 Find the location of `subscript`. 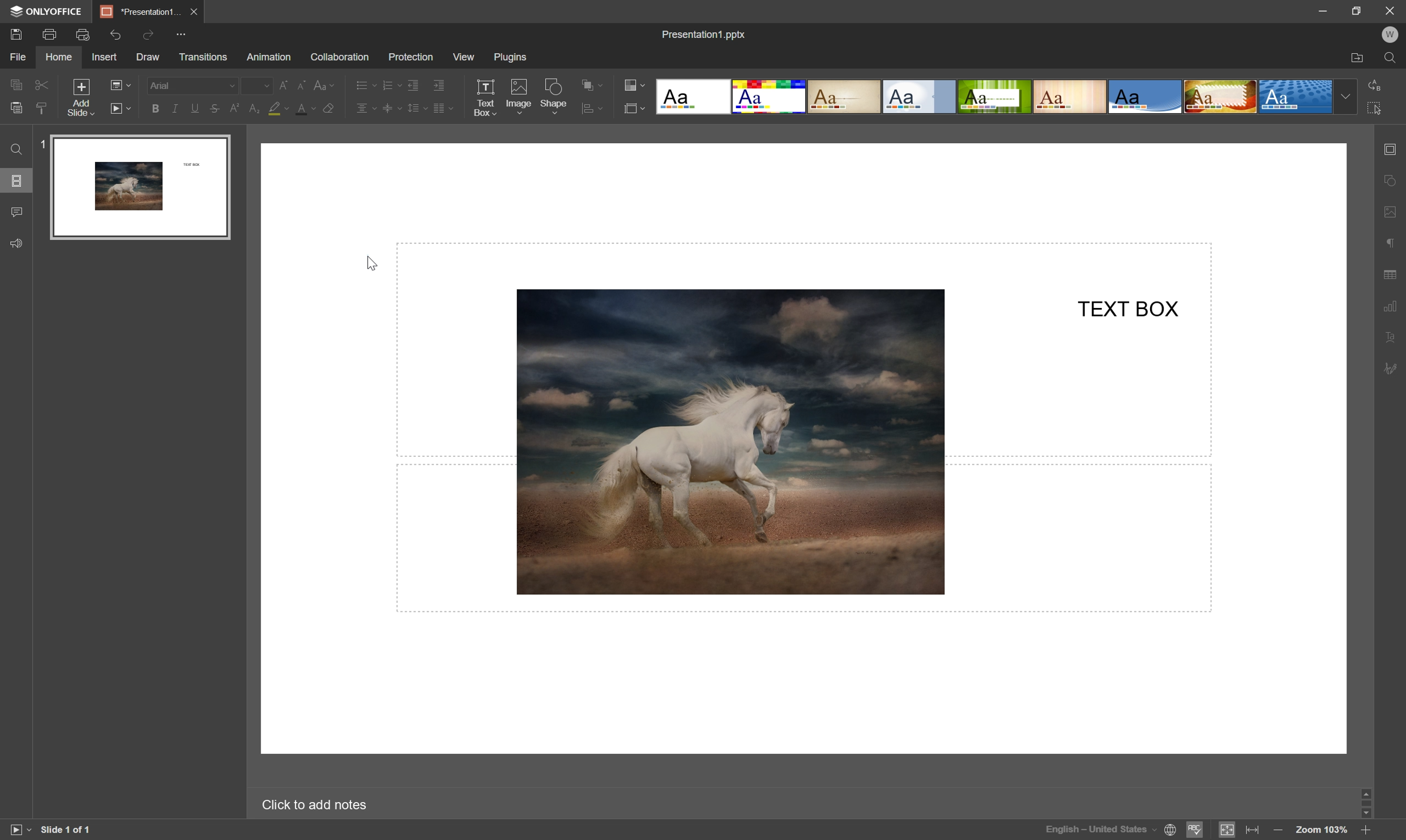

subscript is located at coordinates (254, 108).